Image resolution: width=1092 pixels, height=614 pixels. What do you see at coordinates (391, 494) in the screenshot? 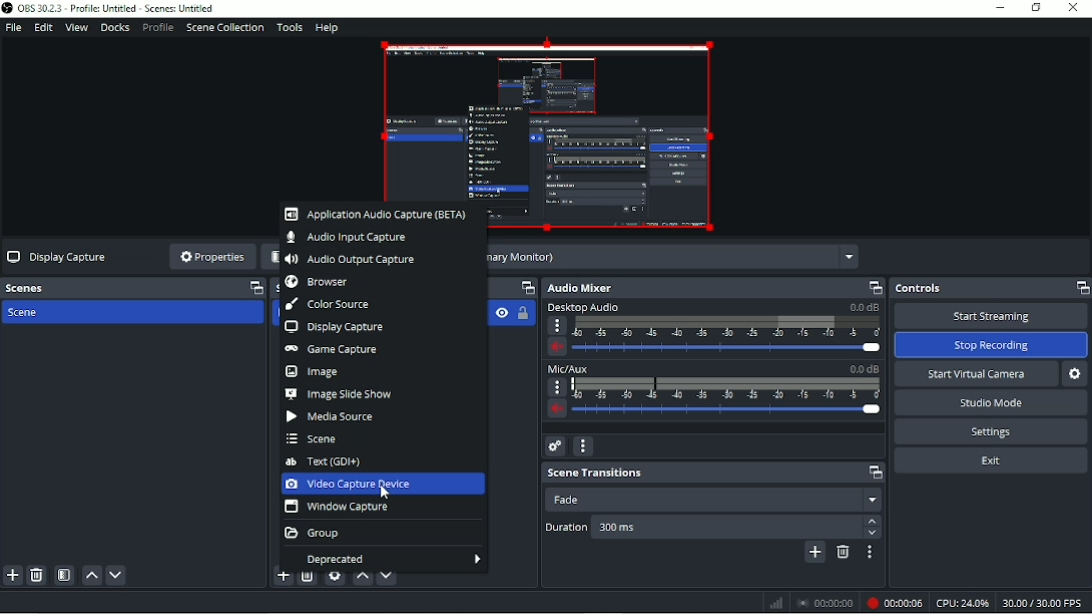
I see `Pointer` at bounding box center [391, 494].